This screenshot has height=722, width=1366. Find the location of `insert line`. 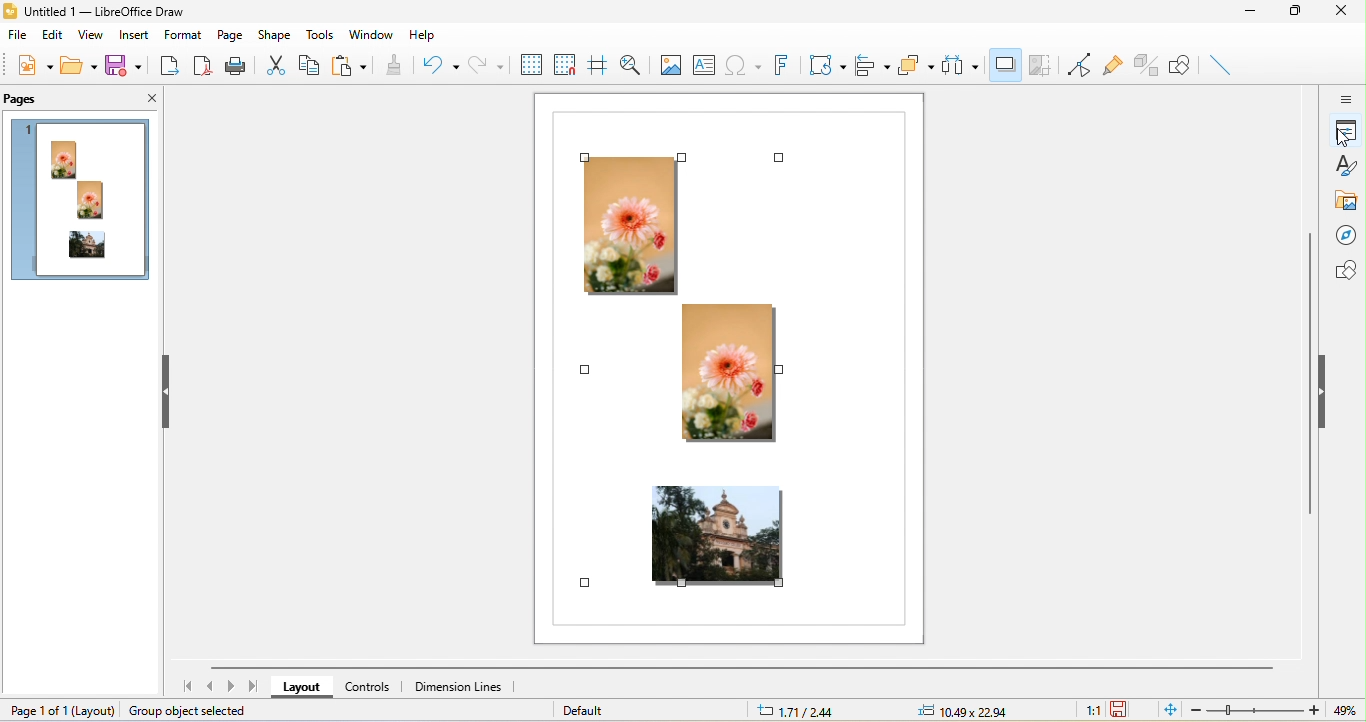

insert line is located at coordinates (1222, 63).